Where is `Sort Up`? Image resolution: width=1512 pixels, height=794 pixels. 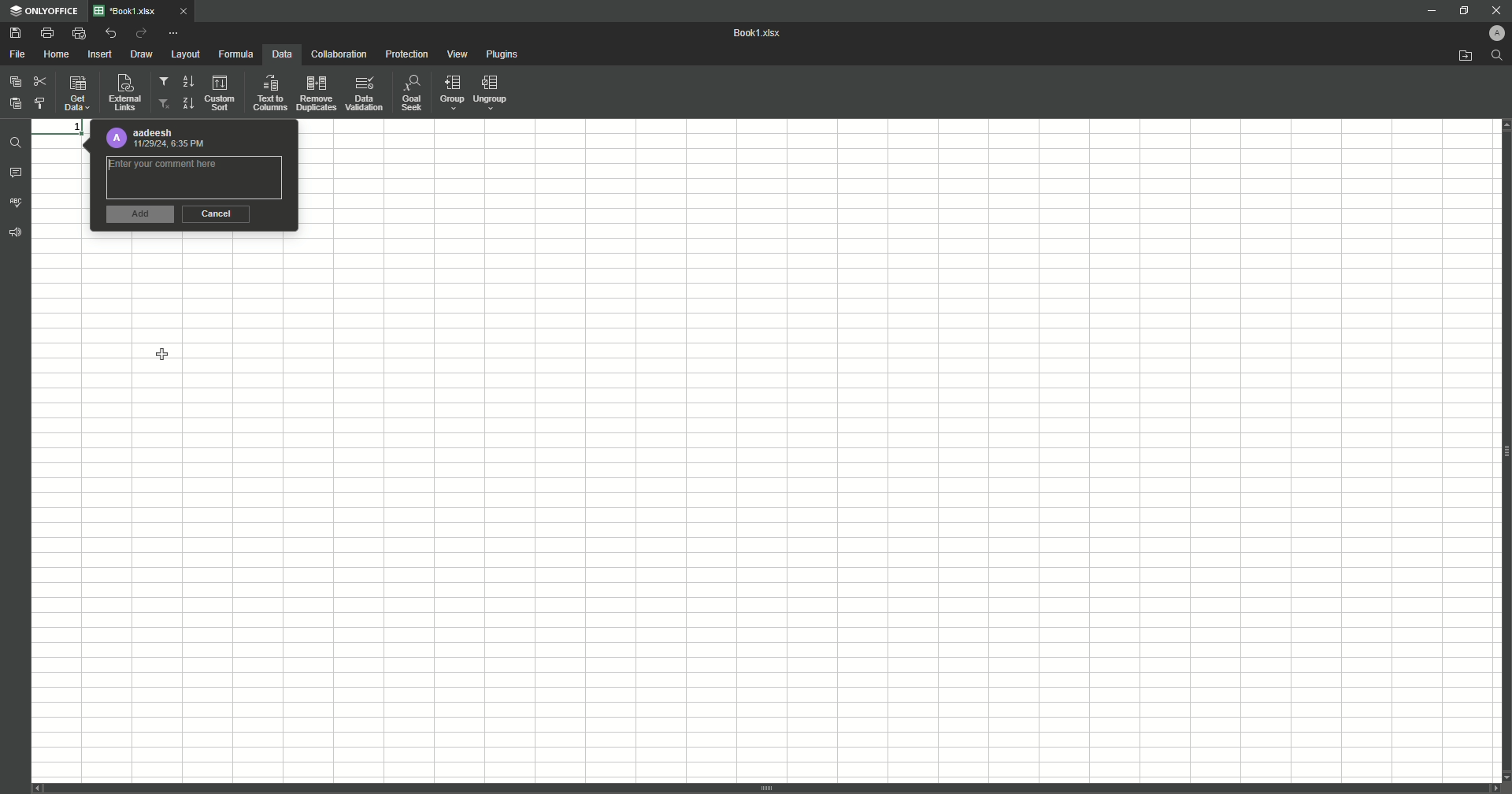 Sort Up is located at coordinates (187, 103).